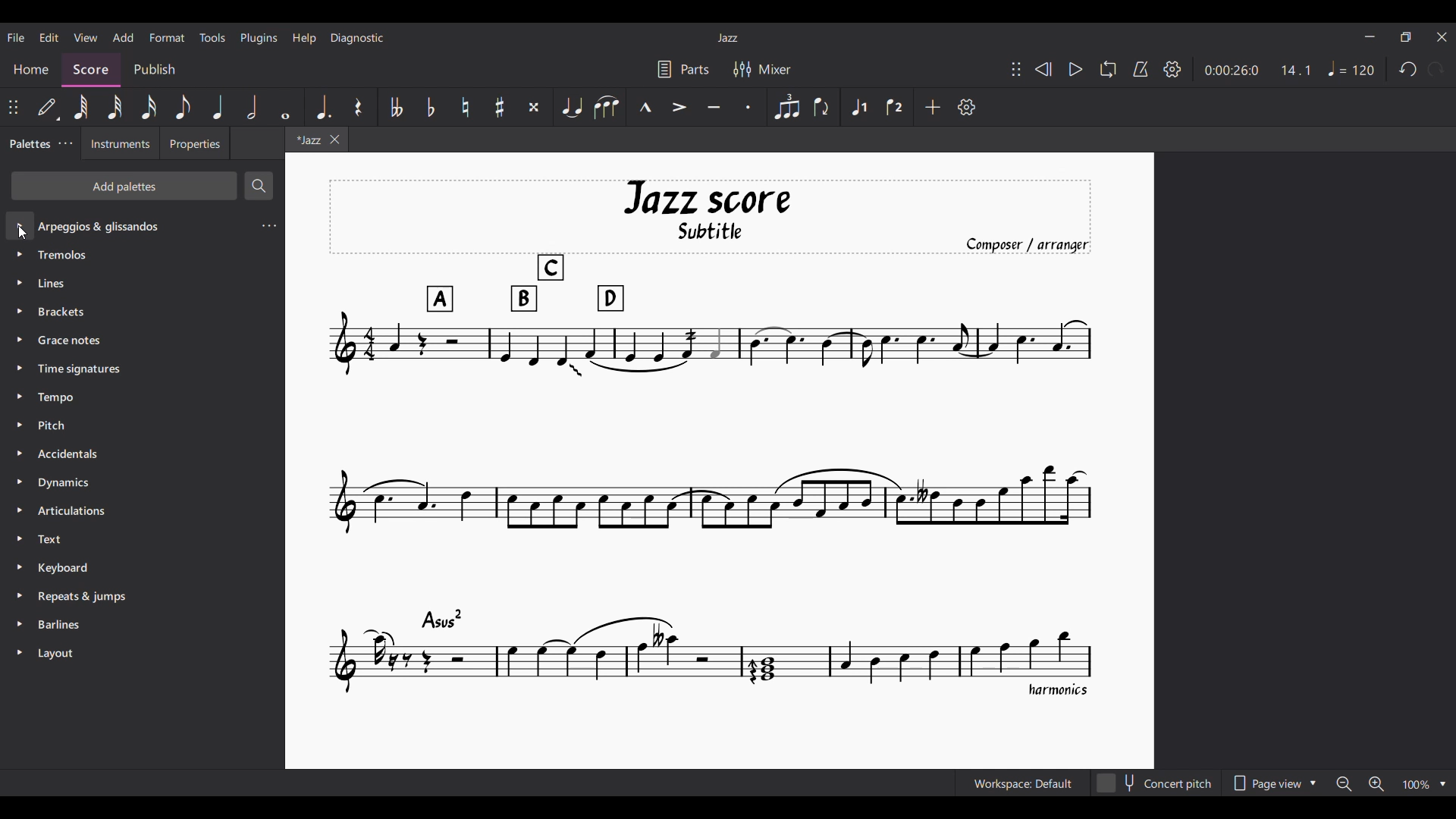 The image size is (1456, 819). I want to click on View menu, so click(85, 37).